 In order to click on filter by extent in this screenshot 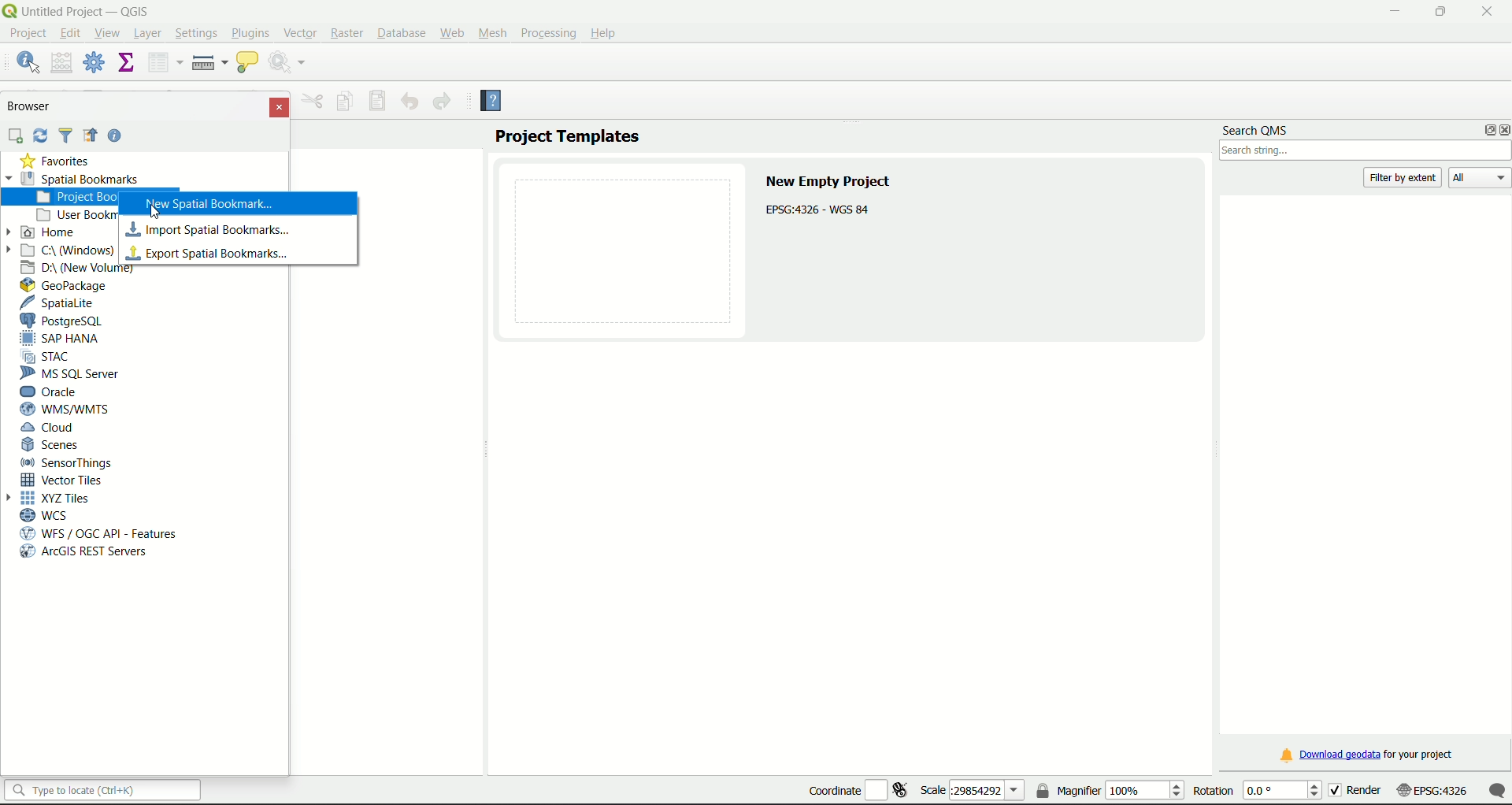, I will do `click(1404, 176)`.